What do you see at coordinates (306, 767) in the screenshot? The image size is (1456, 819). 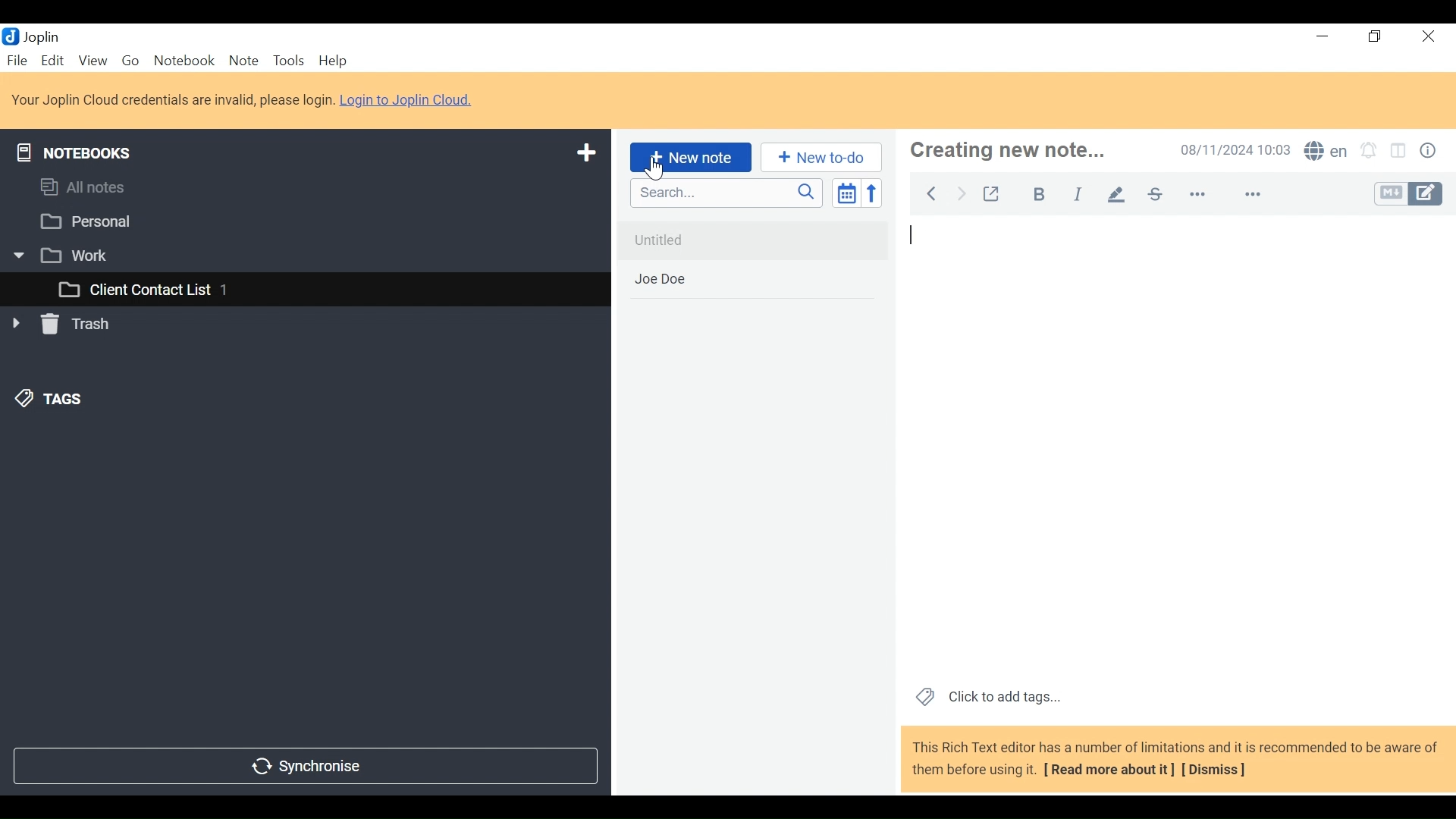 I see `Synchronise` at bounding box center [306, 767].